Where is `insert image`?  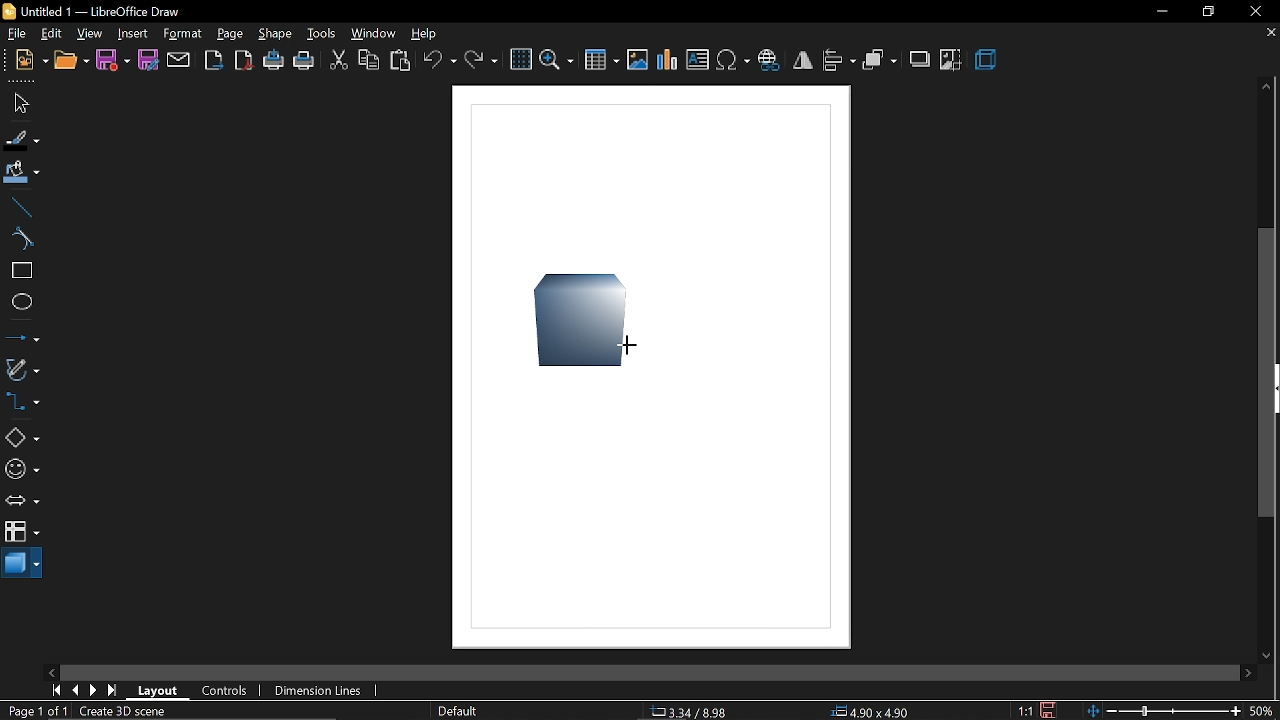
insert image is located at coordinates (638, 61).